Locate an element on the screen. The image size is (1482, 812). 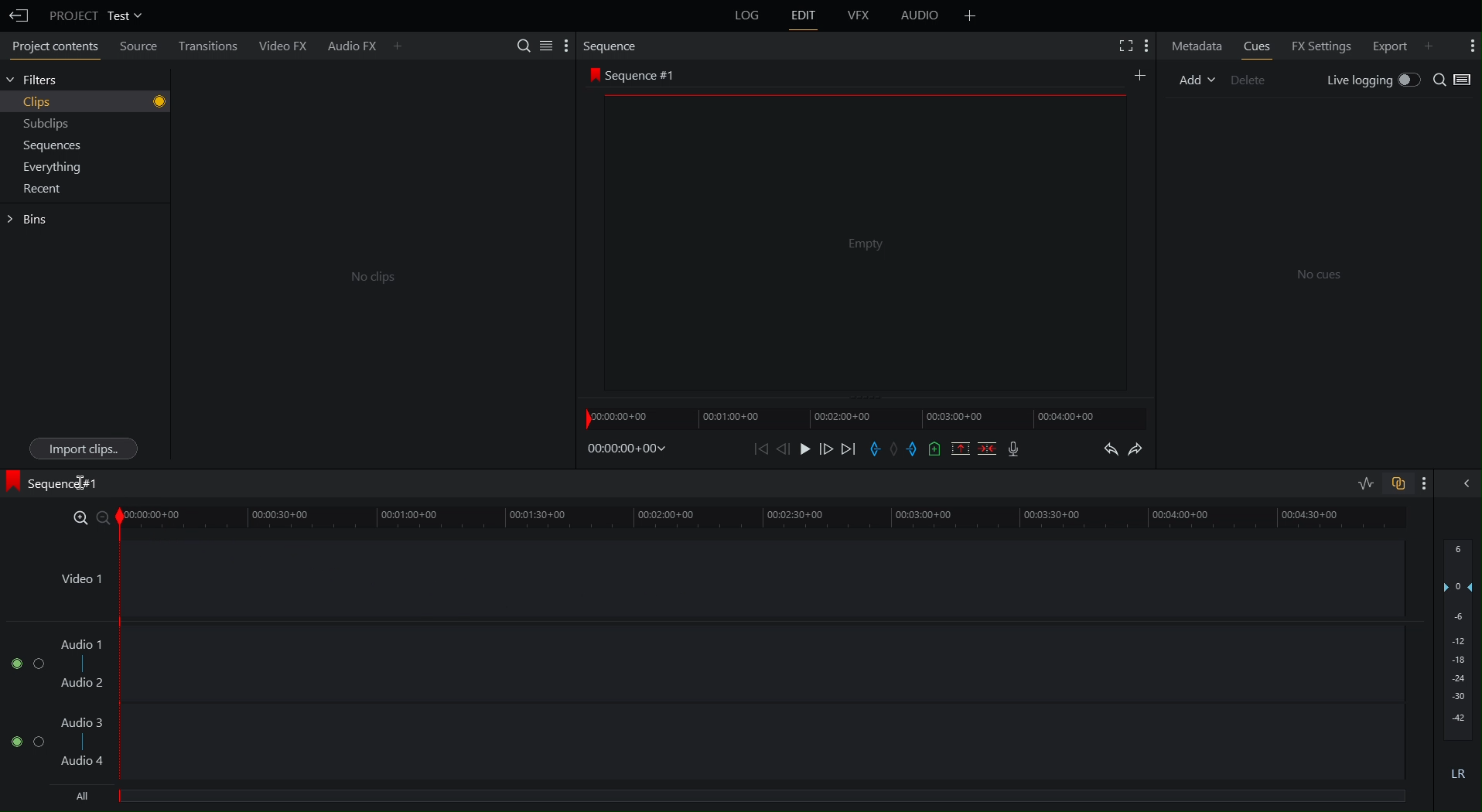
Log is located at coordinates (746, 19).